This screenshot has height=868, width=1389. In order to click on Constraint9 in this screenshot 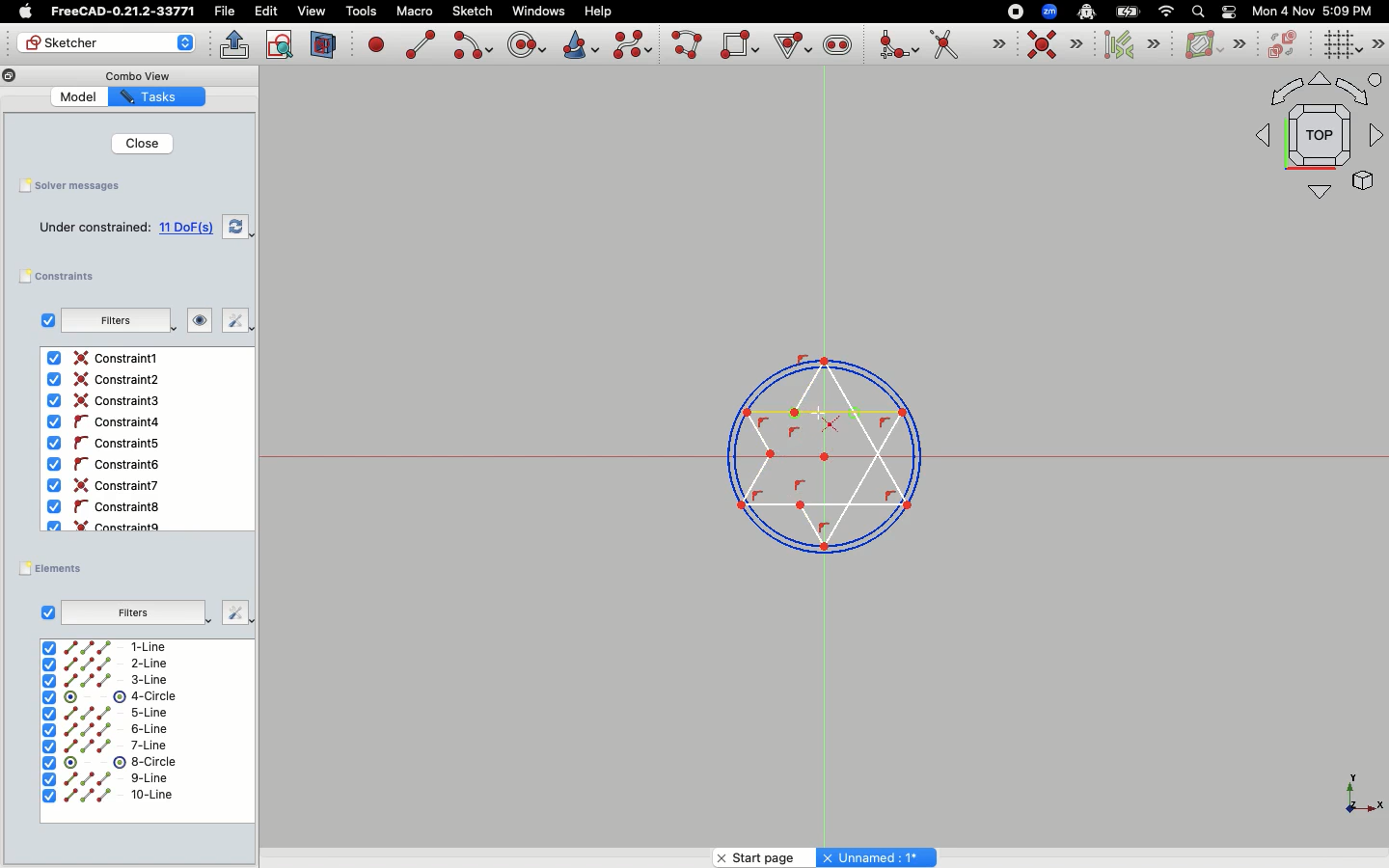, I will do `click(109, 525)`.